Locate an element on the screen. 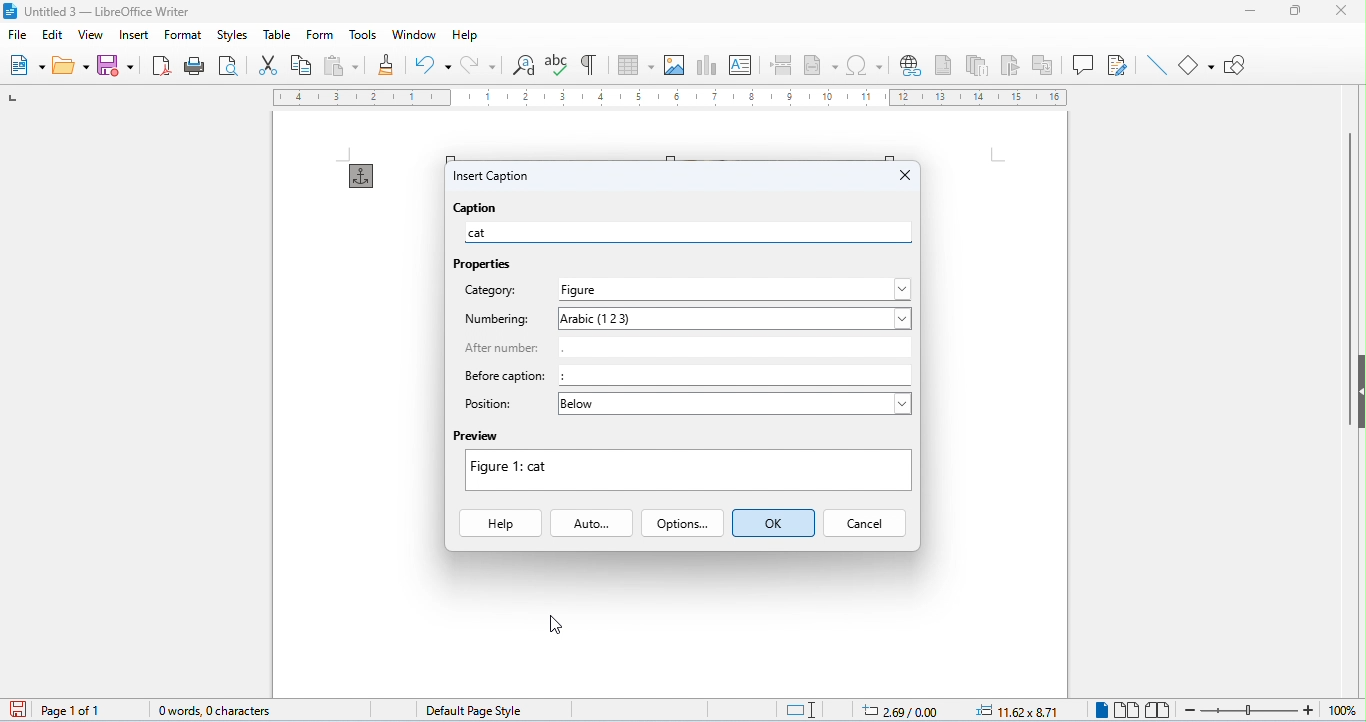 The image size is (1366, 722). undo is located at coordinates (432, 65).